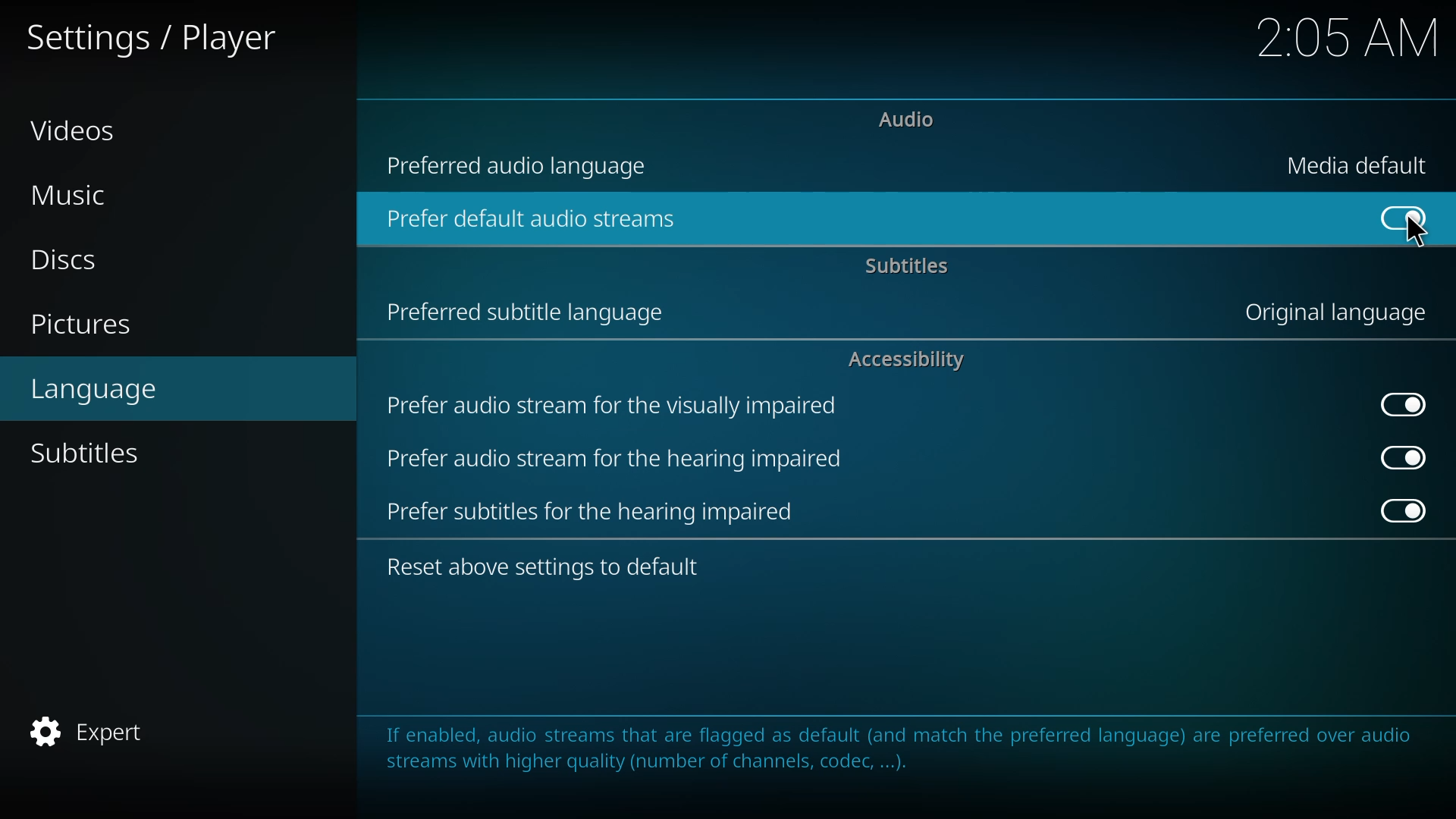 Image resolution: width=1456 pixels, height=819 pixels. Describe the element at coordinates (1403, 218) in the screenshot. I see `enabled` at that location.